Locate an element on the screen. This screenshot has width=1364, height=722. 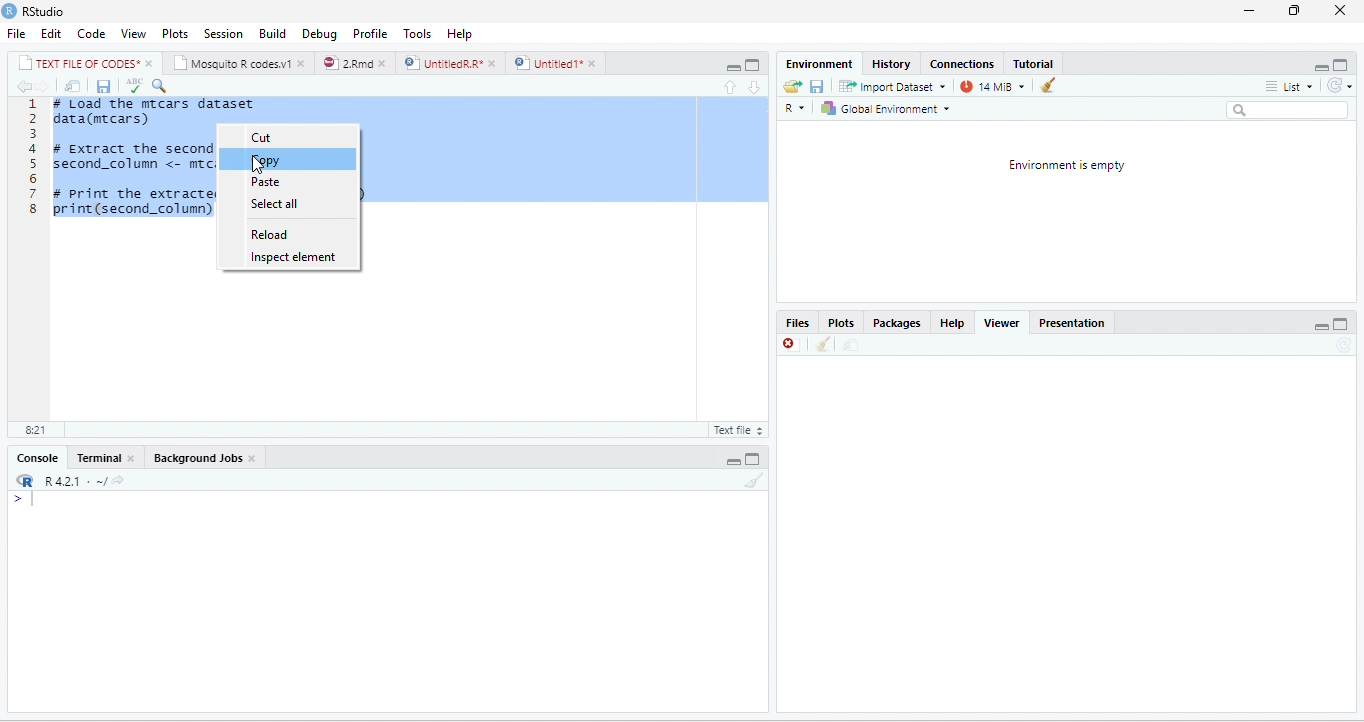
UnttiedR A is located at coordinates (443, 62).